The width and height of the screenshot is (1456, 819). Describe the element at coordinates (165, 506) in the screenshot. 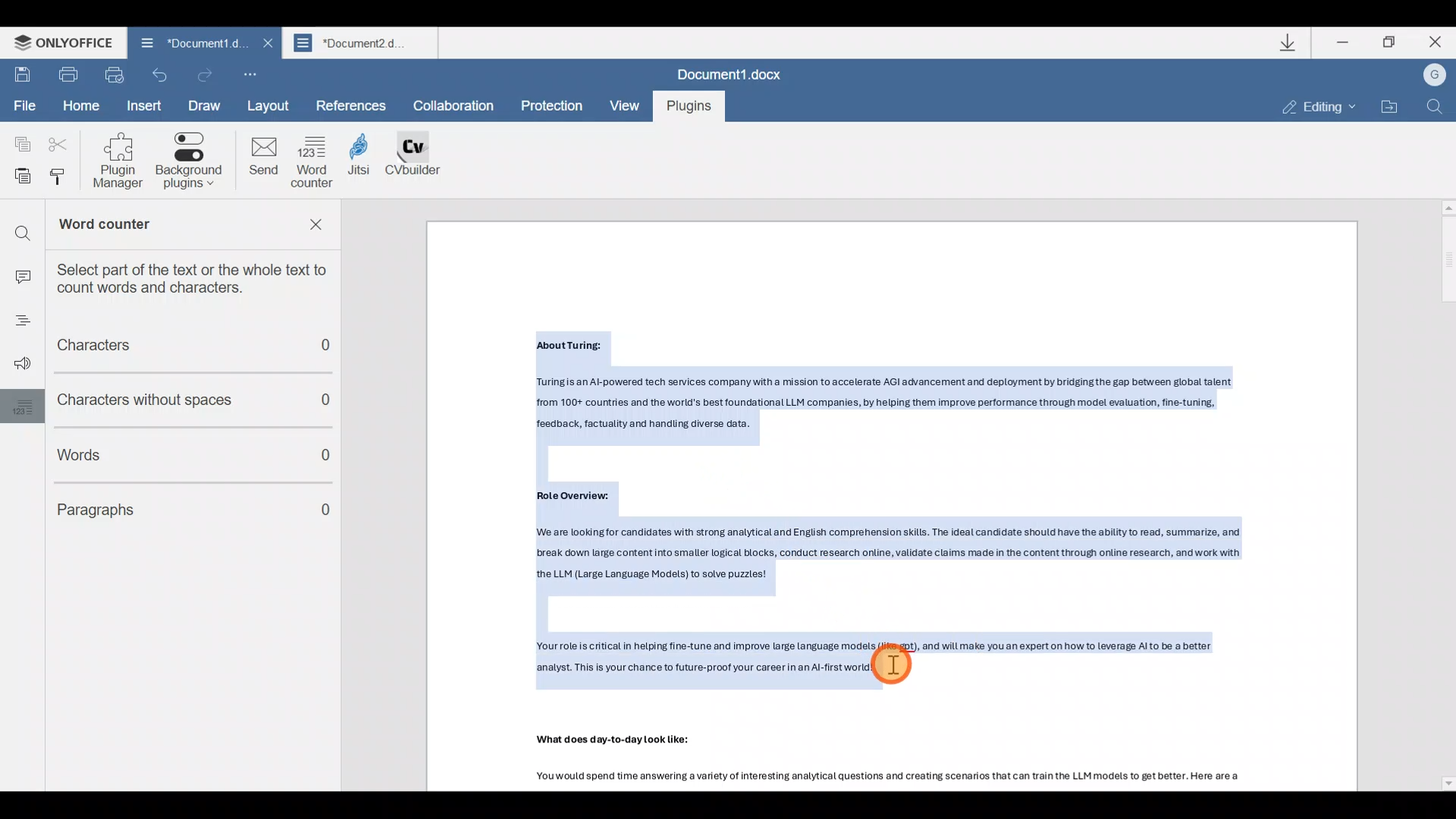

I see `Paragraphs count` at that location.